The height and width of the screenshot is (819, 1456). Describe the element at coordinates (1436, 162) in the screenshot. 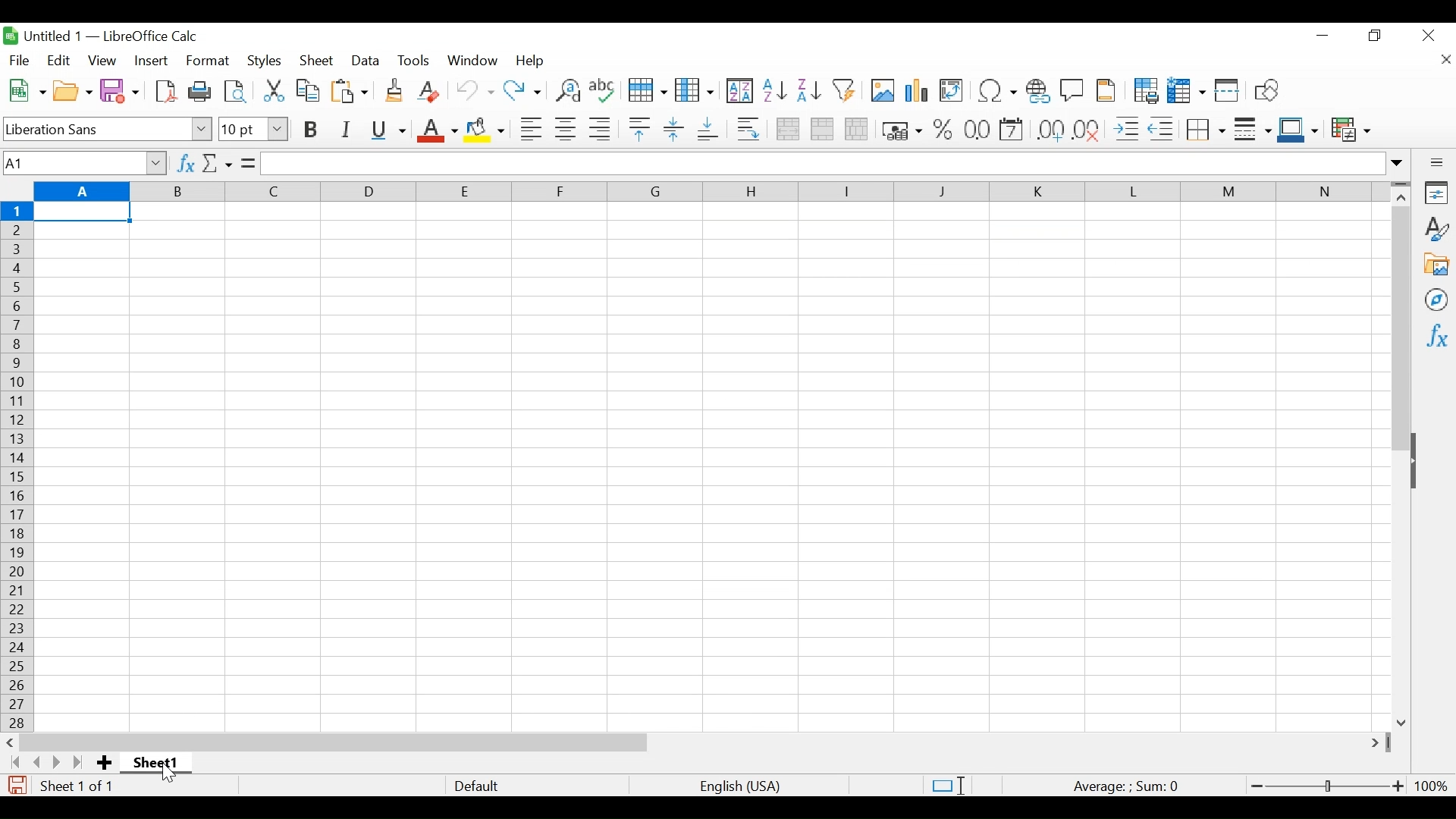

I see `Sidebar Settings` at that location.